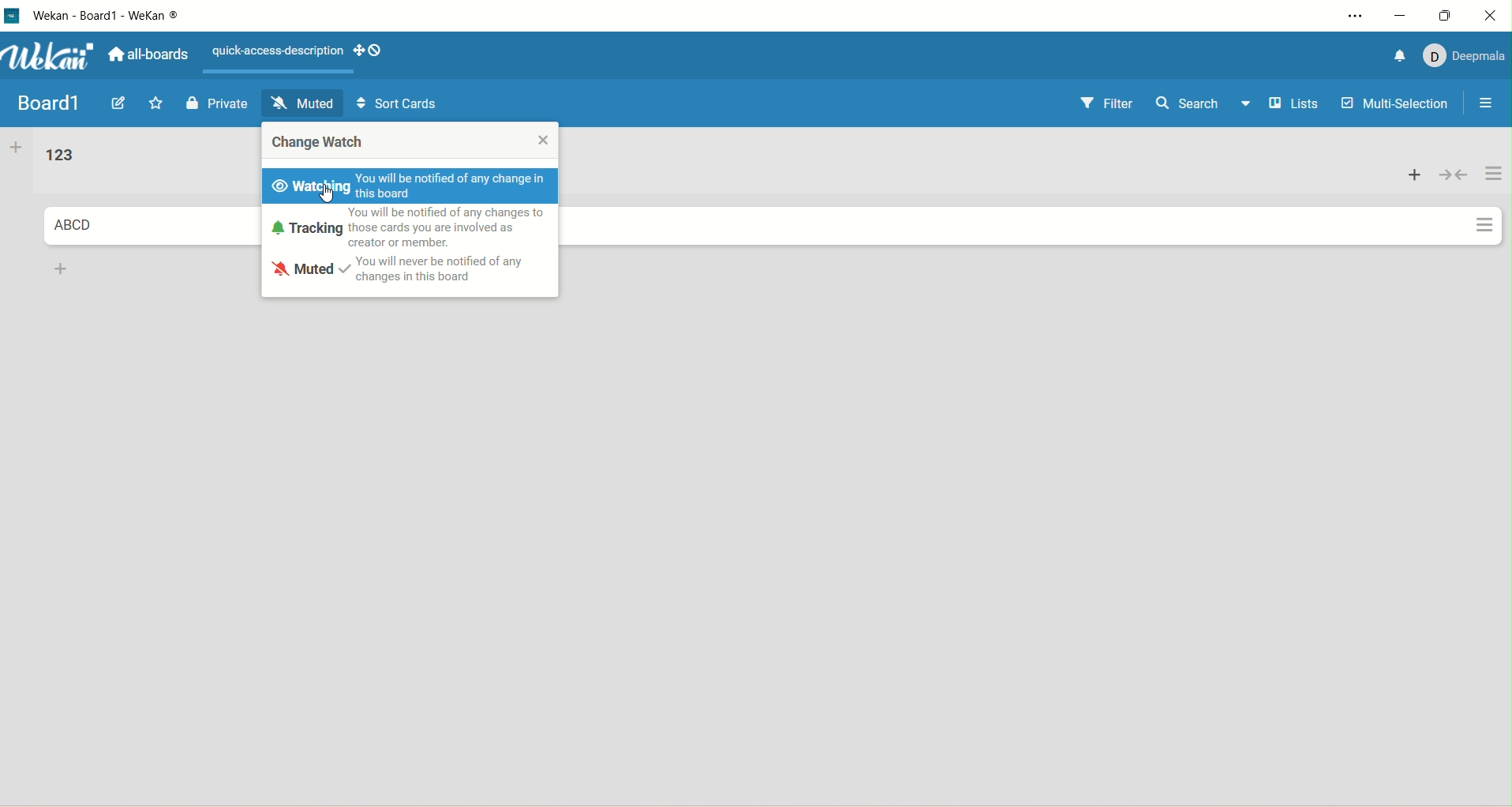  Describe the element at coordinates (1452, 171) in the screenshot. I see `collapse` at that location.